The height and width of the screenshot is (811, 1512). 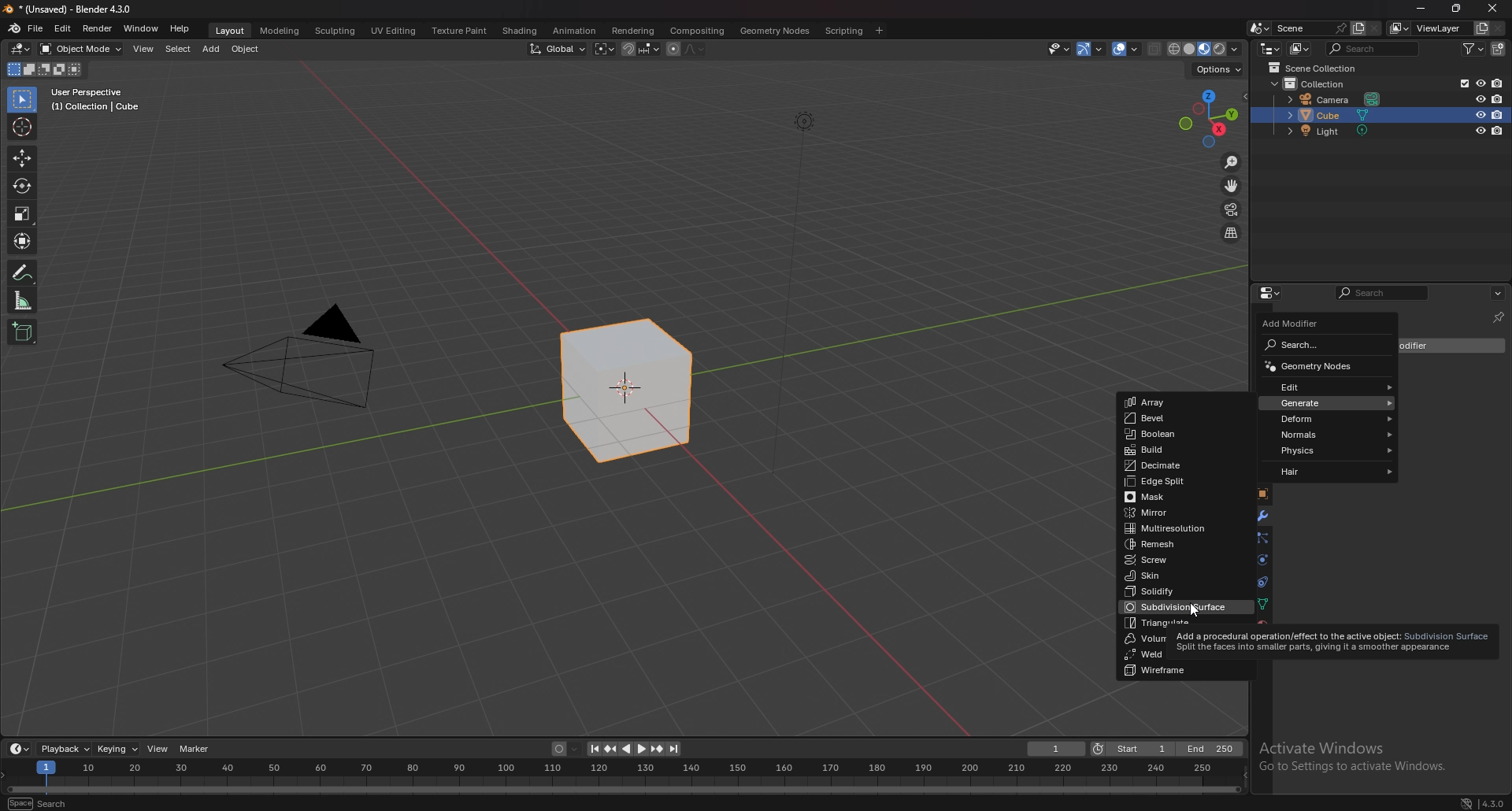 I want to click on seek, so click(x=625, y=778).